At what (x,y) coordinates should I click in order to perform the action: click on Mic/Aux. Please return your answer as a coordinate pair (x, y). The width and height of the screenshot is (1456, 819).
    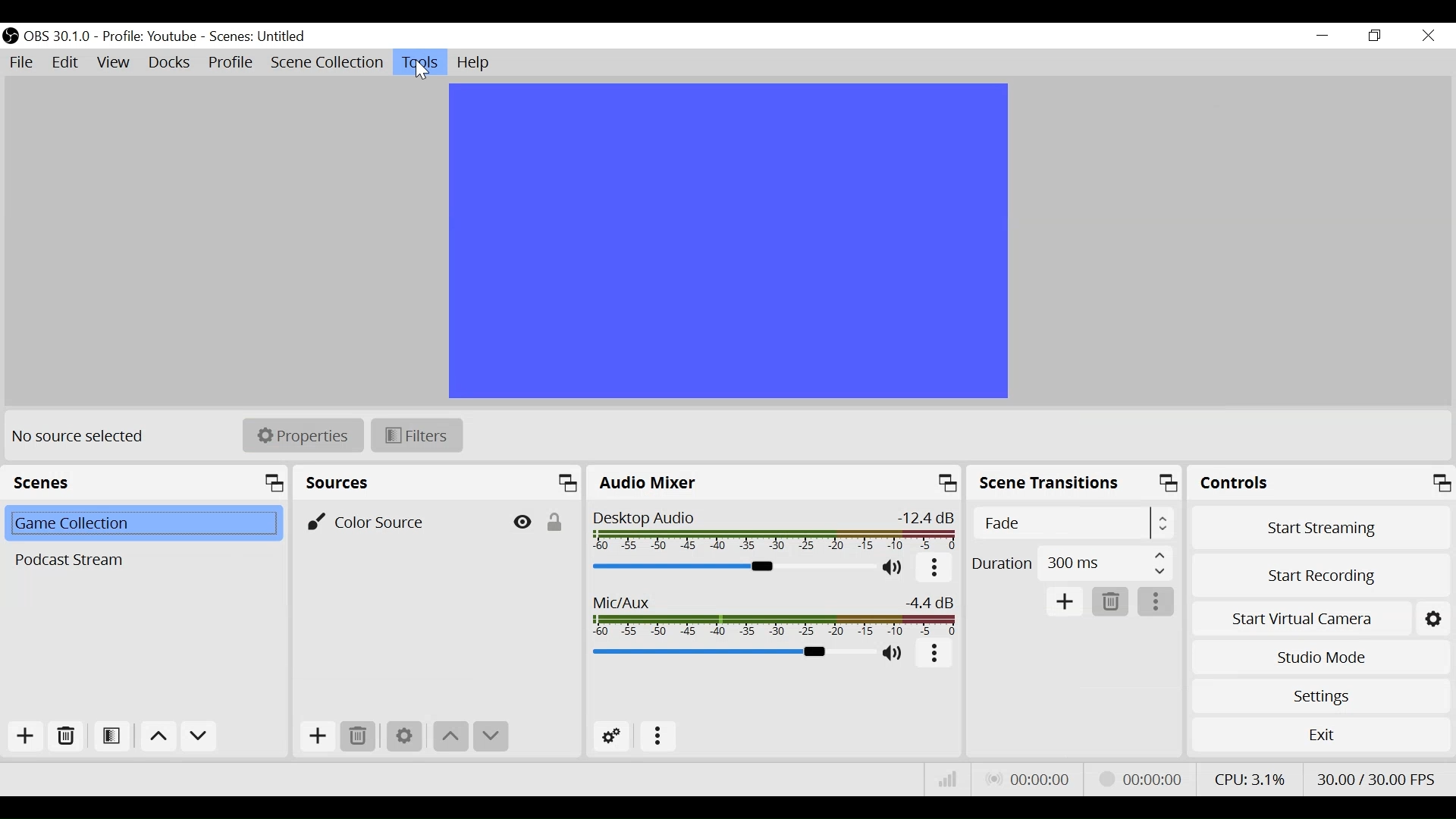
    Looking at the image, I should click on (775, 613).